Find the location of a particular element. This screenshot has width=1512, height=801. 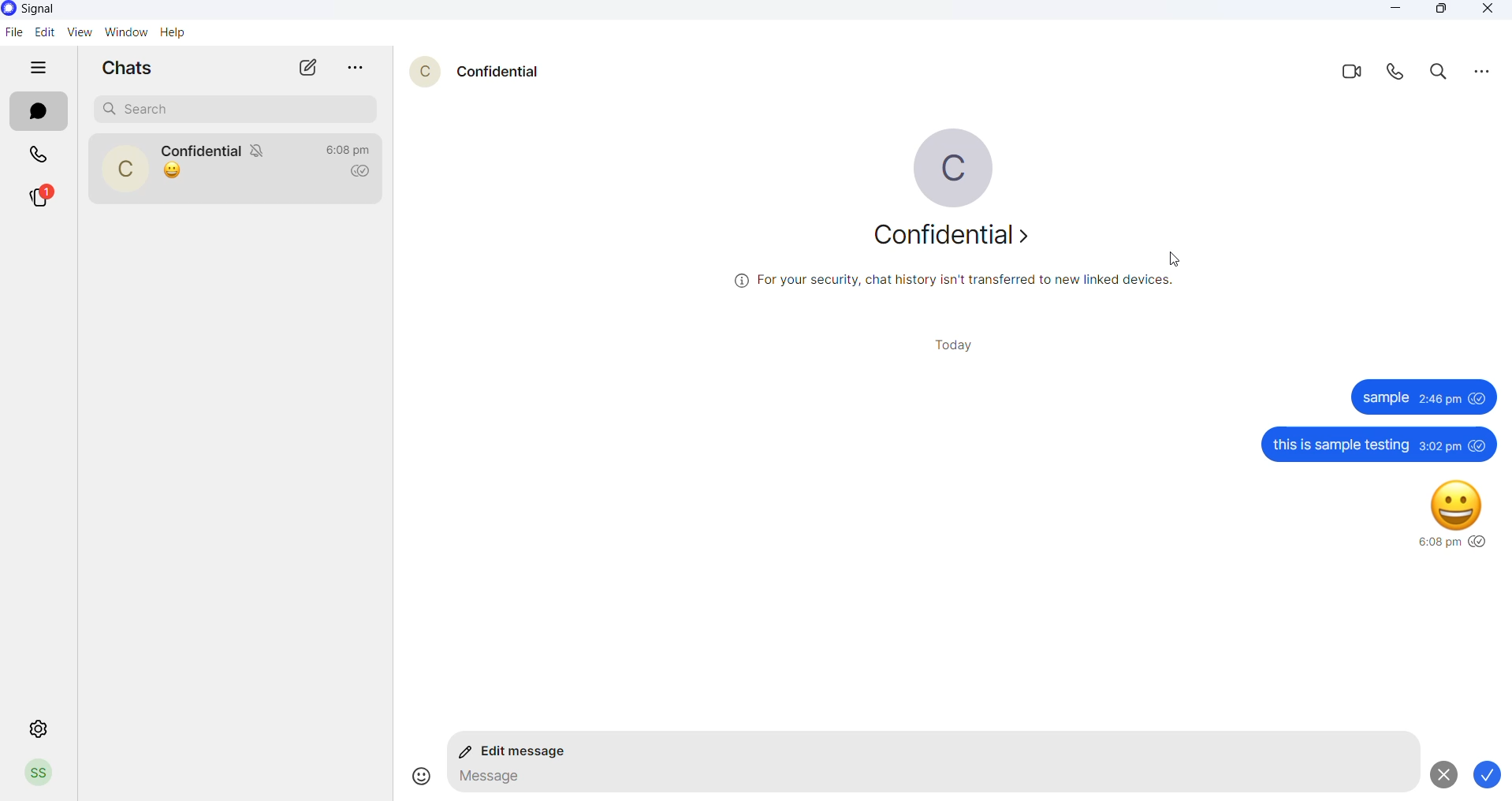

profile picture is located at coordinates (125, 167).